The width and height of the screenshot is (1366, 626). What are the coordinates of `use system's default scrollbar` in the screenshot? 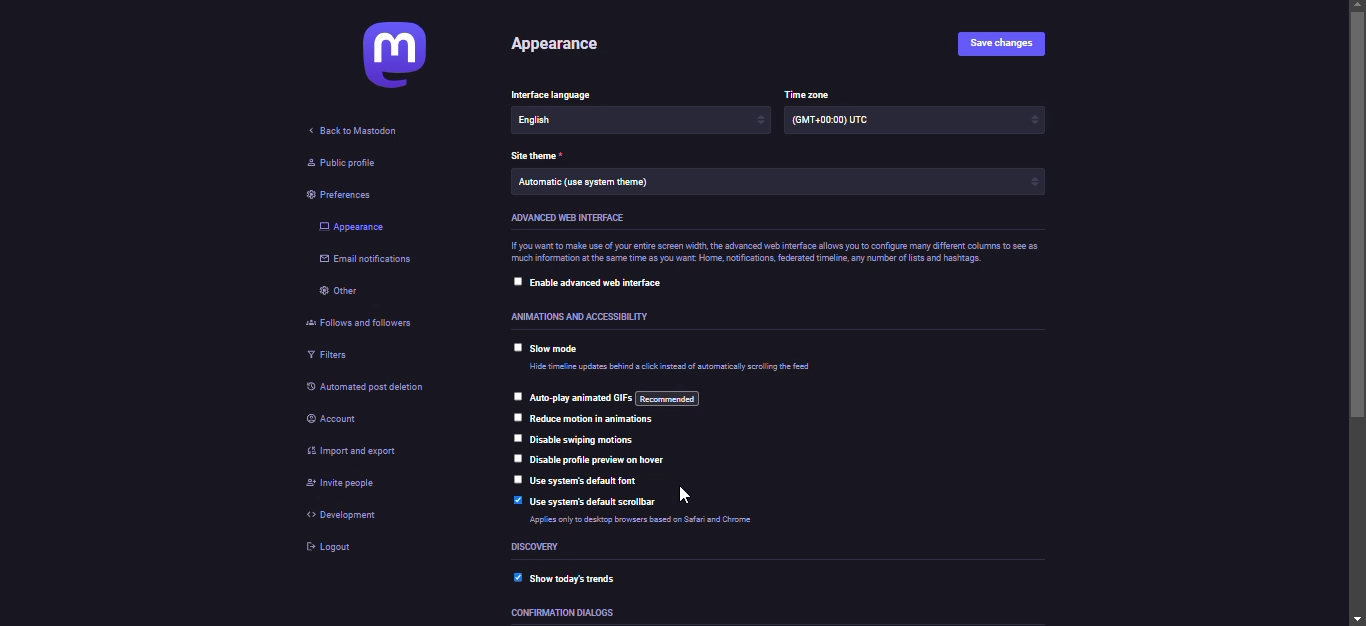 It's located at (605, 502).